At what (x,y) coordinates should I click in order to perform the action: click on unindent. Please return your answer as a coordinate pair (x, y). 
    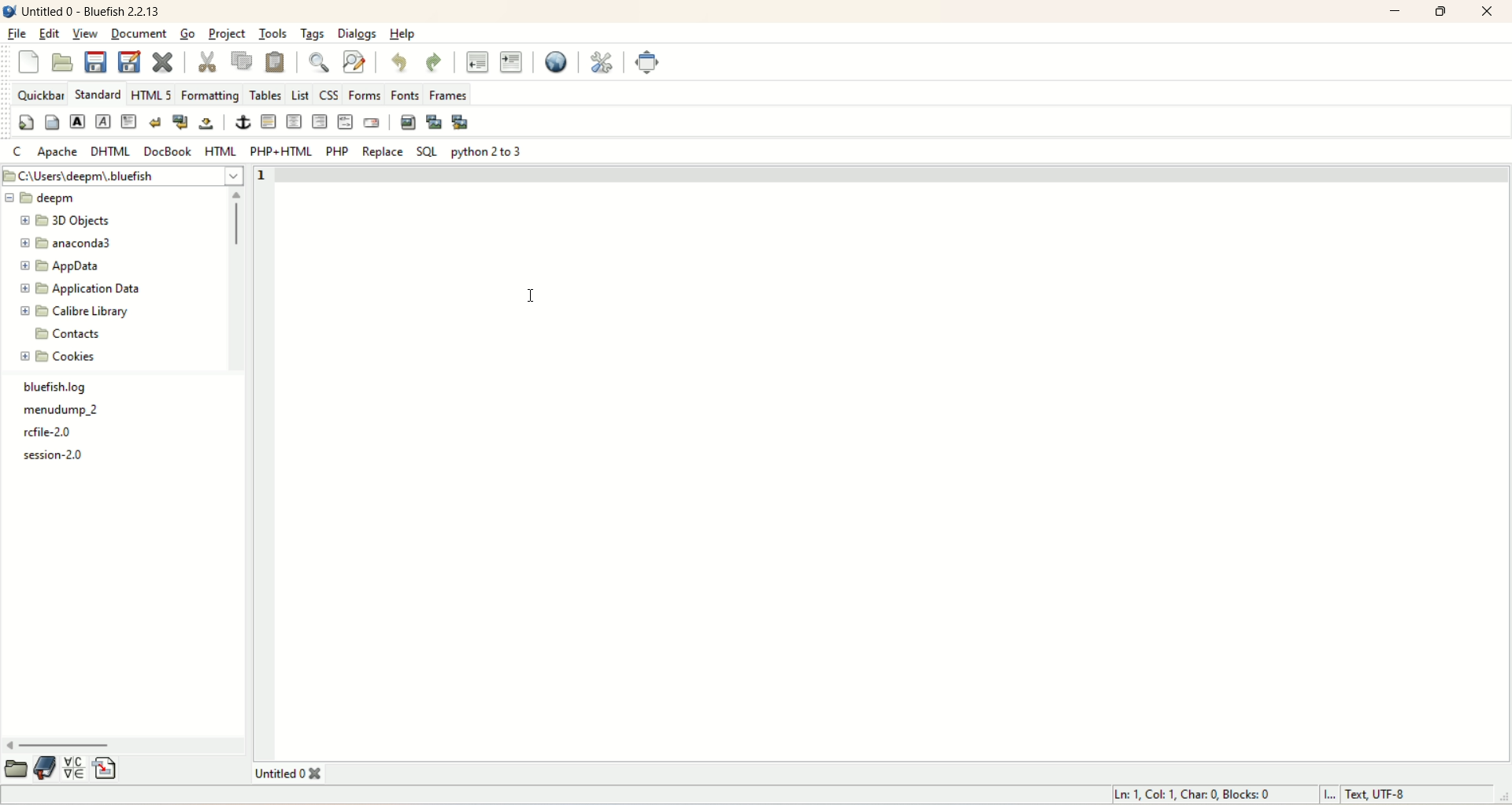
    Looking at the image, I should click on (479, 61).